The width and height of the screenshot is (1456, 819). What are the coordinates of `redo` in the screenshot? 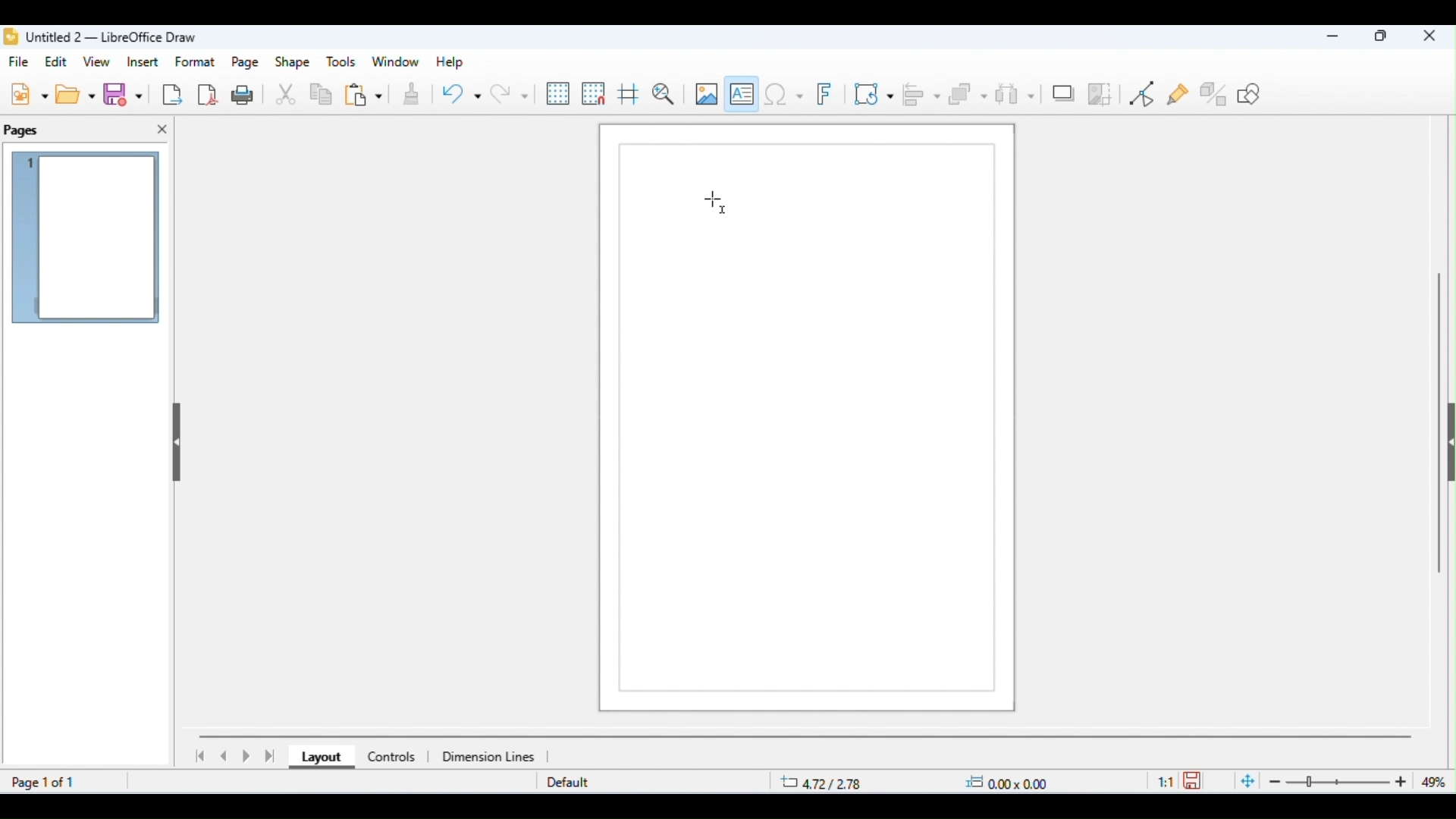 It's located at (509, 93).